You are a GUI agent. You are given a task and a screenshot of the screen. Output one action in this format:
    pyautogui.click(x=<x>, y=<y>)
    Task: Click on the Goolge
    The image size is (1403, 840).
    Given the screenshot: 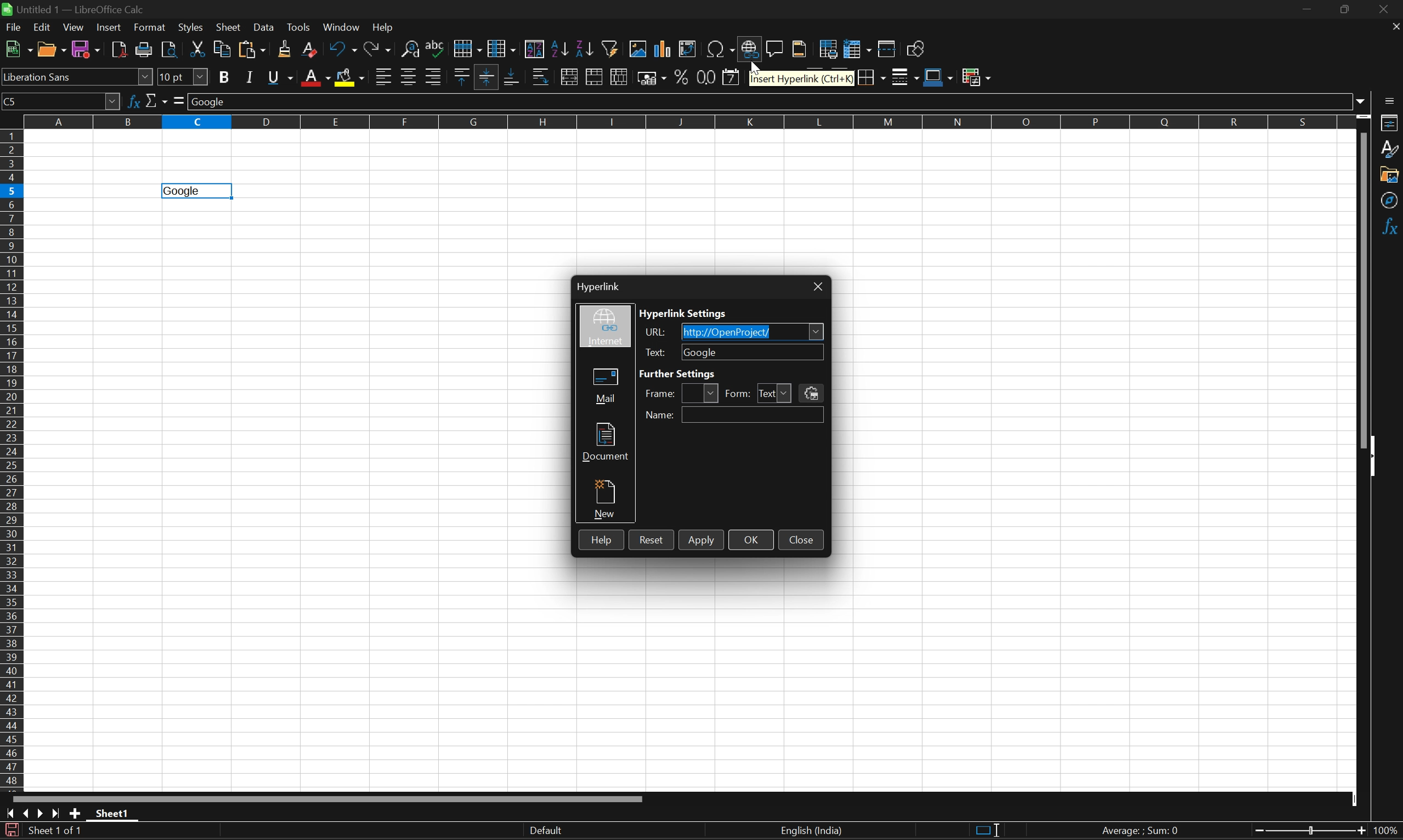 What is the action you would take?
    pyautogui.click(x=181, y=191)
    